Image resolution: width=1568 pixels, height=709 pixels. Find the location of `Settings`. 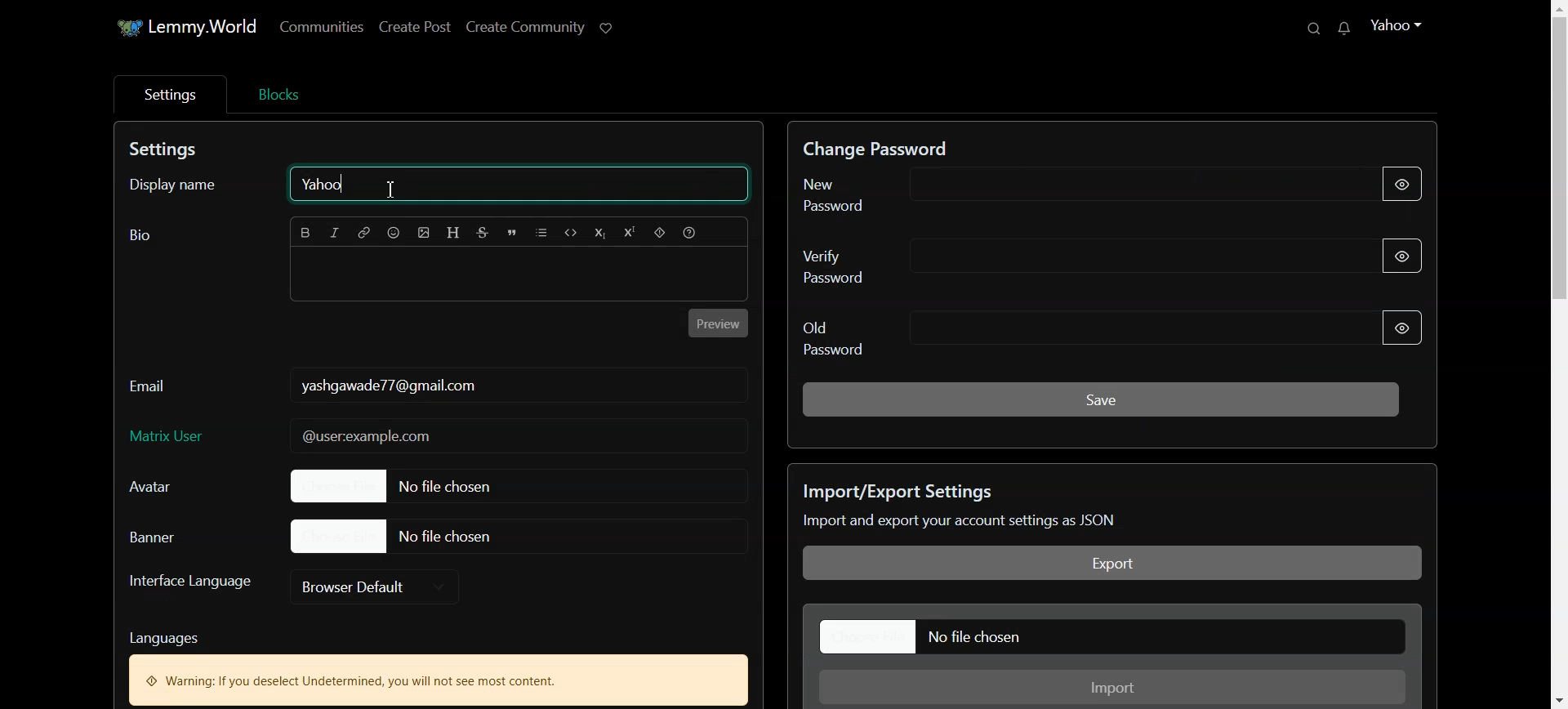

Settings is located at coordinates (168, 94).